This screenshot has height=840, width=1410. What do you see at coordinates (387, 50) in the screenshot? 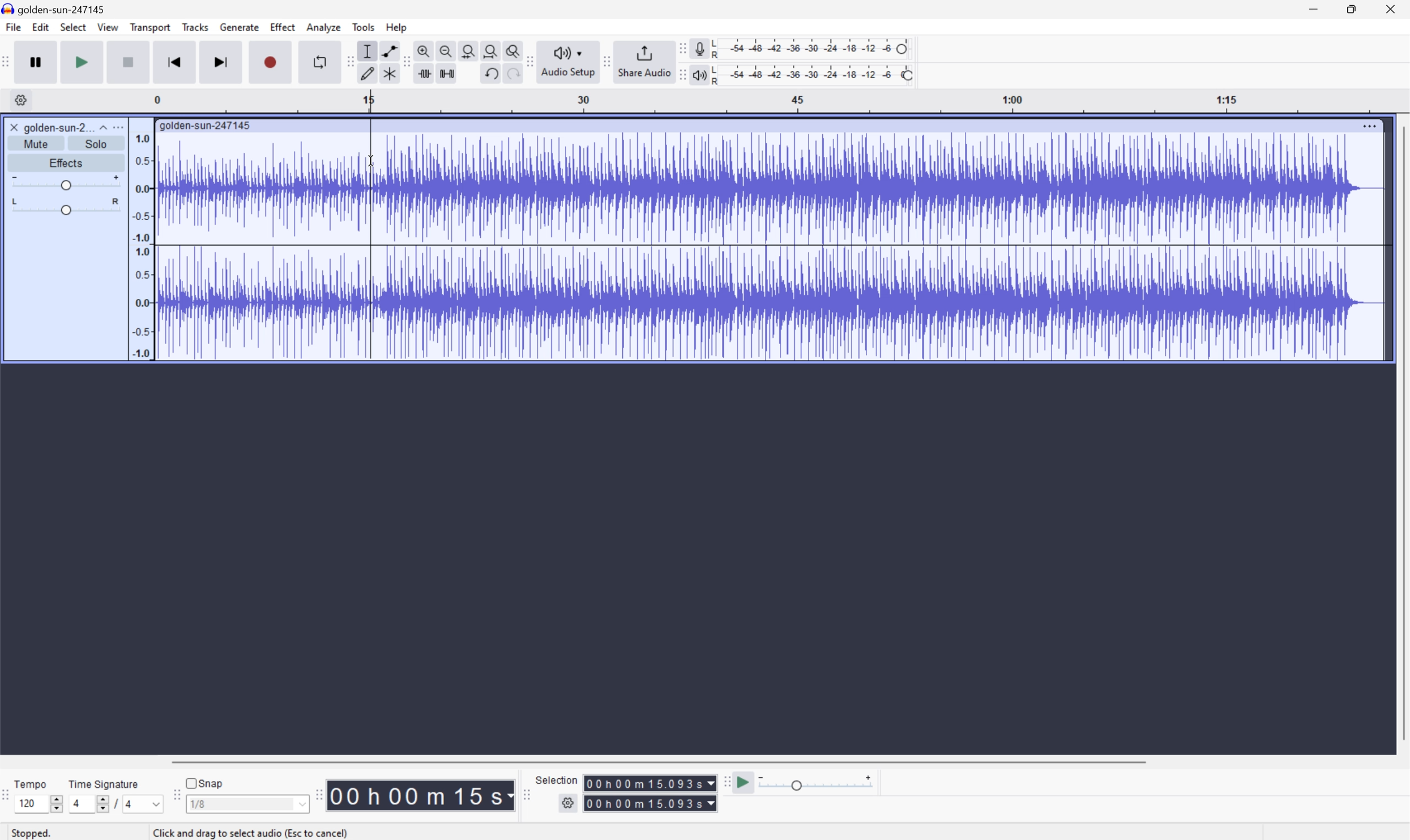
I see `Envelope tool` at bounding box center [387, 50].